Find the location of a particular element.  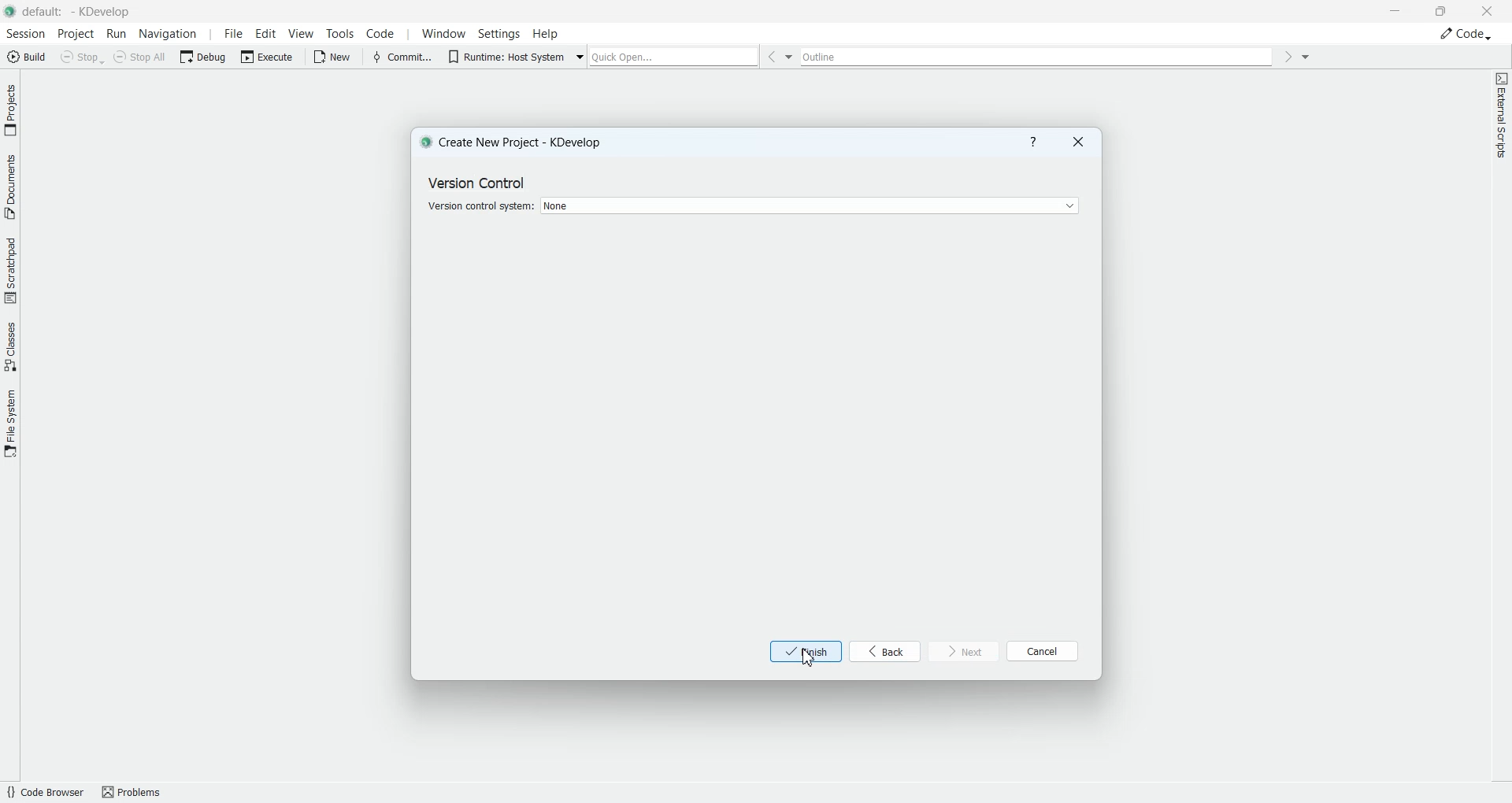

Stop is located at coordinates (82, 57).